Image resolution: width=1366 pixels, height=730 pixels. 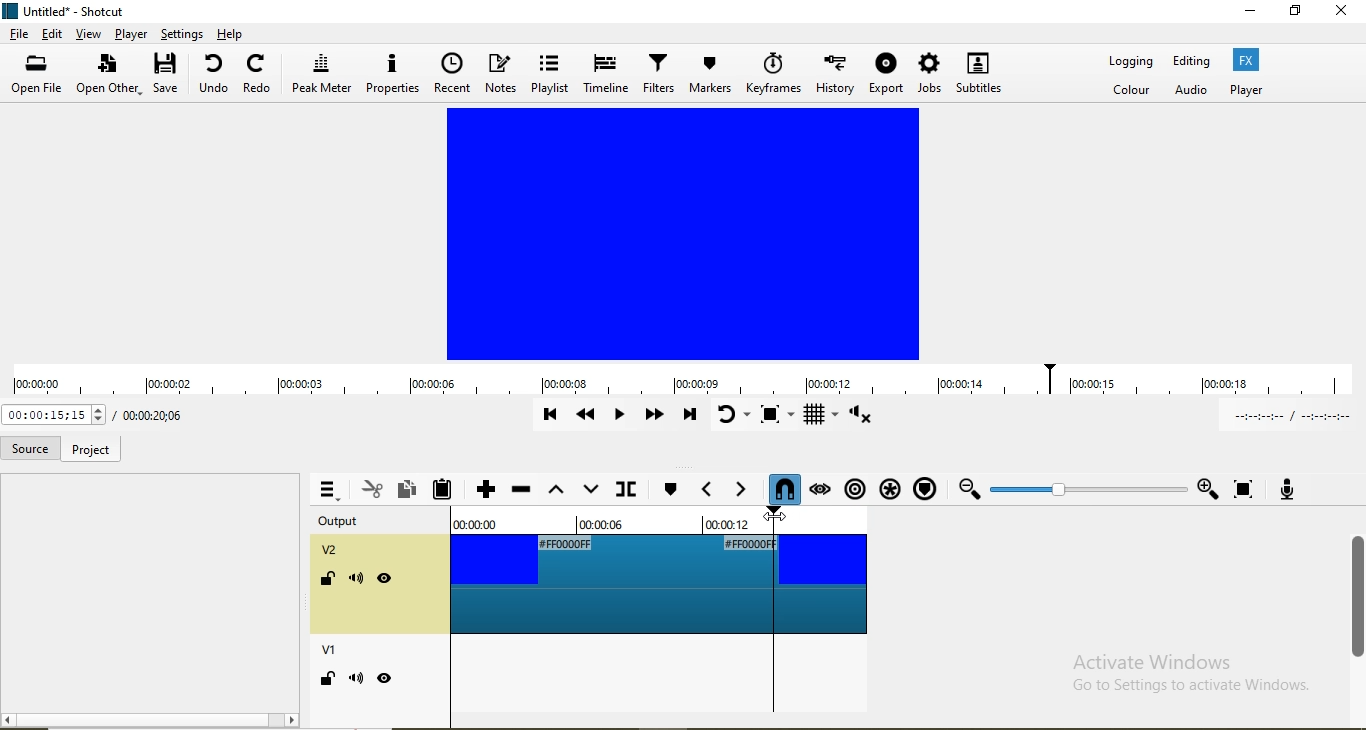 I want to click on Record audio, so click(x=1285, y=487).